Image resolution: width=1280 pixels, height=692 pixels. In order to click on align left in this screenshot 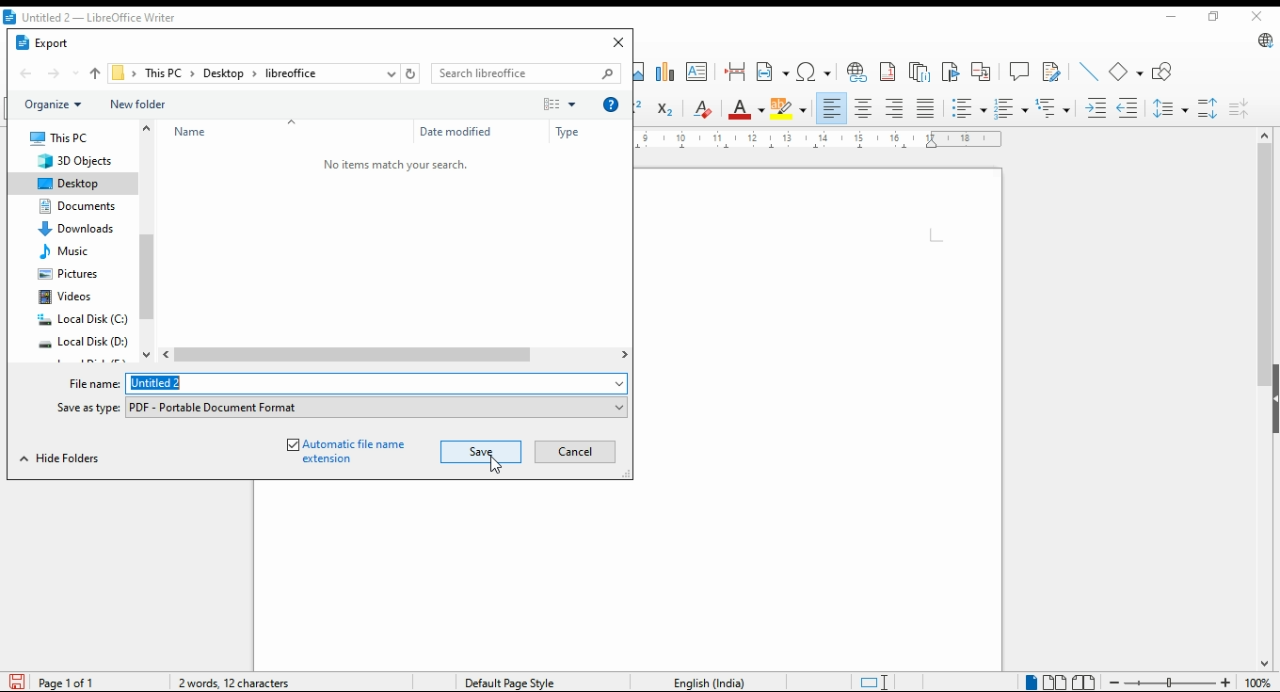, I will do `click(832, 107)`.